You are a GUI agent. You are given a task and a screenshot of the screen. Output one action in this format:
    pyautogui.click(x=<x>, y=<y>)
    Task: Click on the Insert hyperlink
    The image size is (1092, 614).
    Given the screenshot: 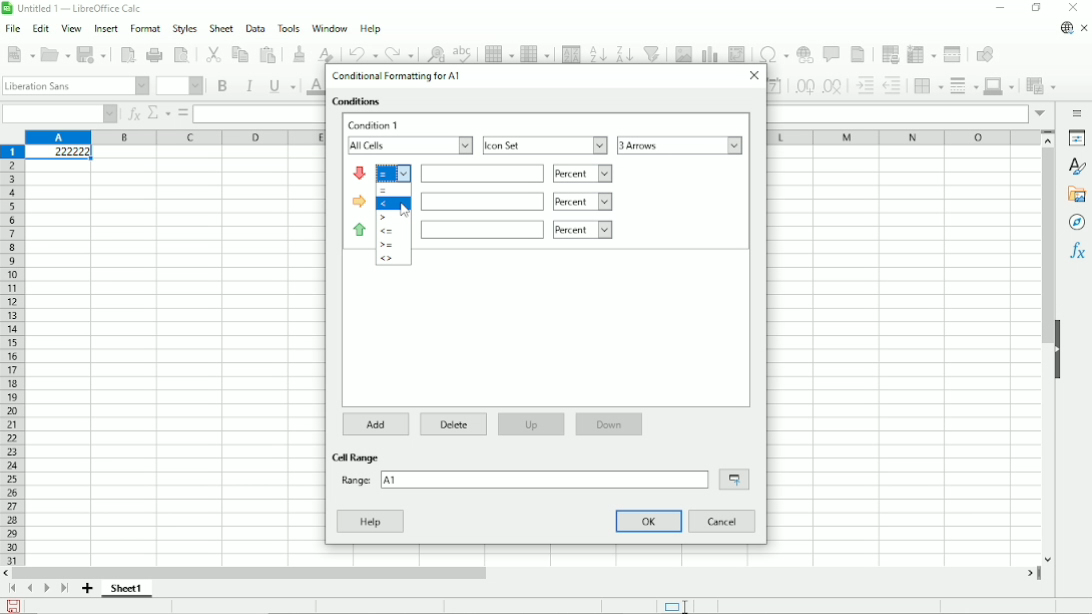 What is the action you would take?
    pyautogui.click(x=804, y=54)
    